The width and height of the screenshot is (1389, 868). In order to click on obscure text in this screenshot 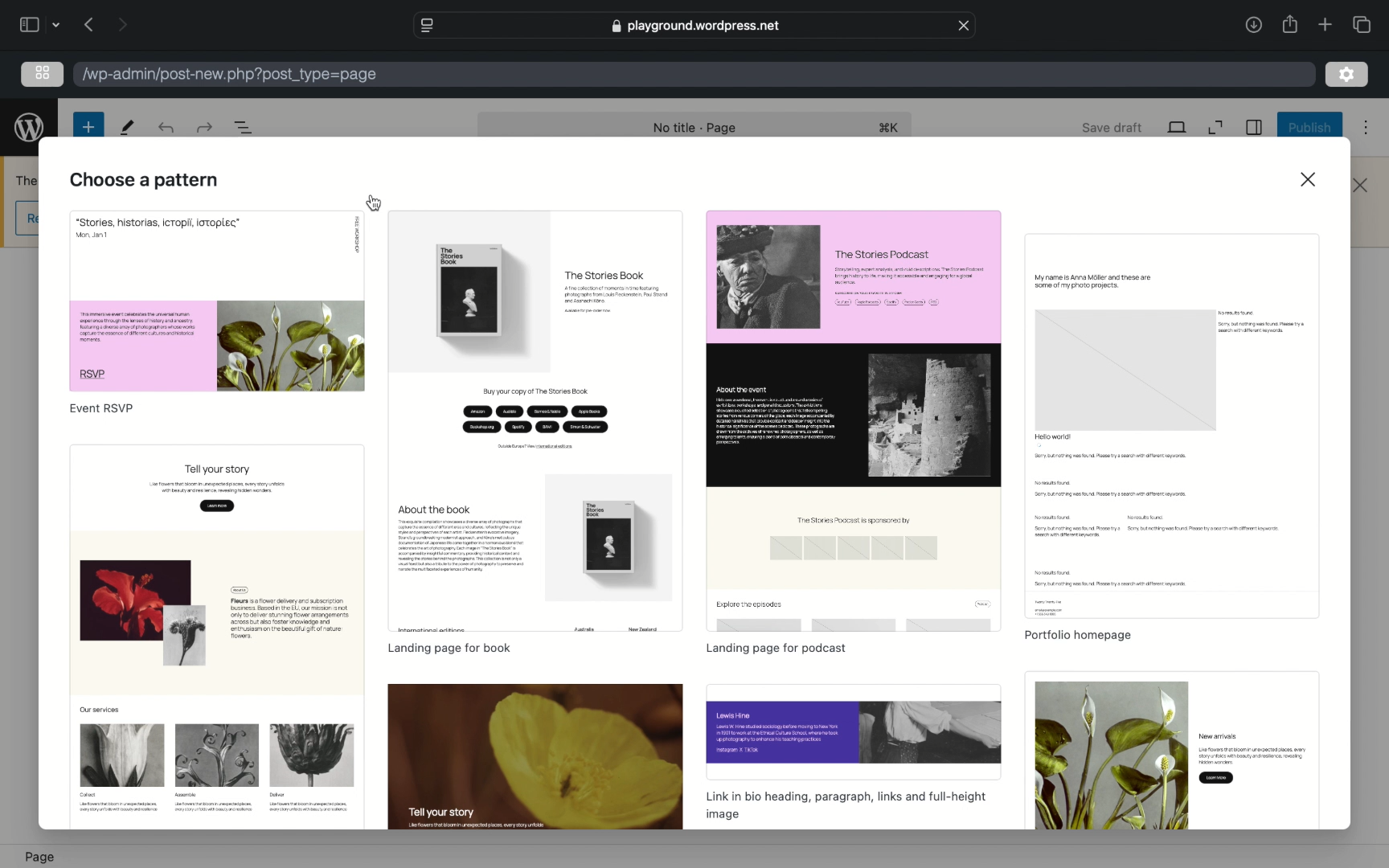, I will do `click(24, 180)`.